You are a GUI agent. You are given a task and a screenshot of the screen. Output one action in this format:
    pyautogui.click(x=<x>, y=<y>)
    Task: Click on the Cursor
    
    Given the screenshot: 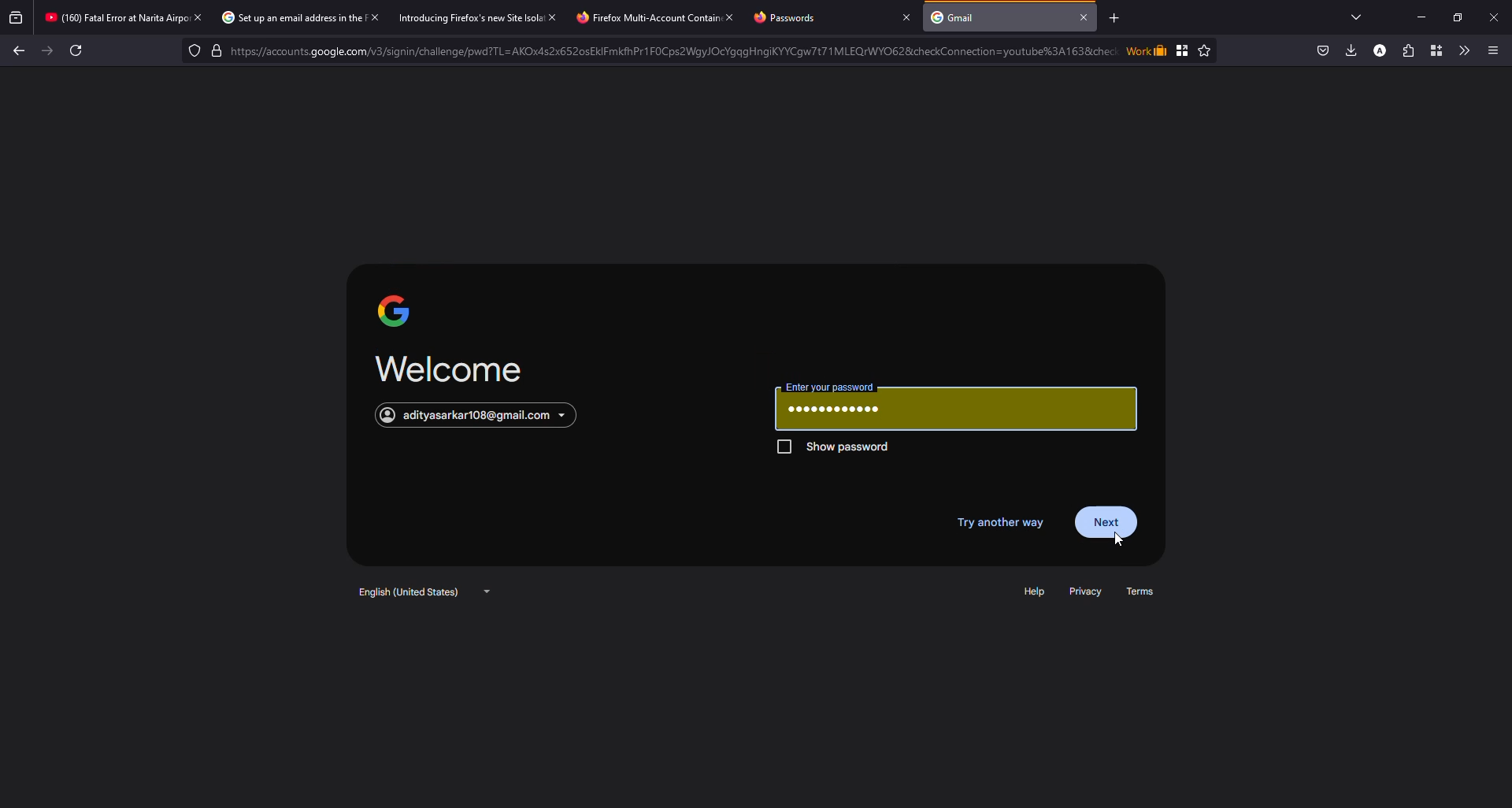 What is the action you would take?
    pyautogui.click(x=1119, y=543)
    